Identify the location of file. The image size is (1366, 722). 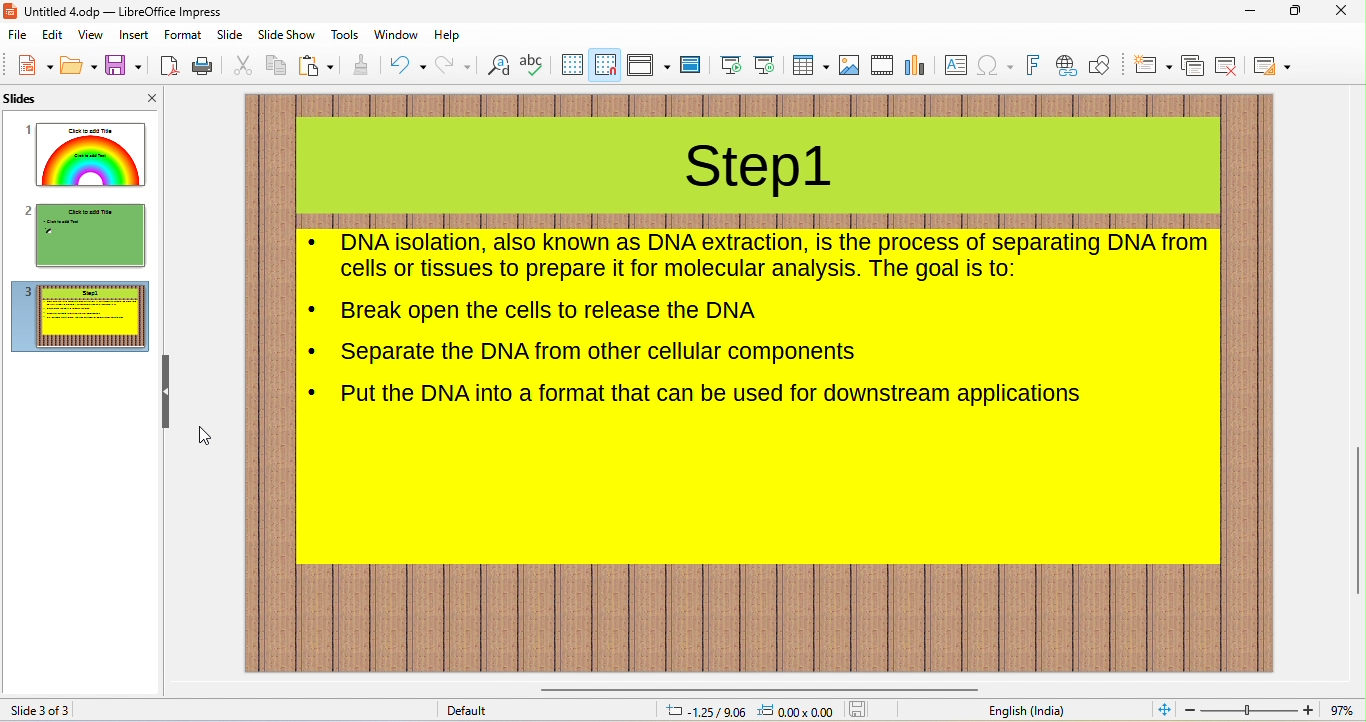
(19, 36).